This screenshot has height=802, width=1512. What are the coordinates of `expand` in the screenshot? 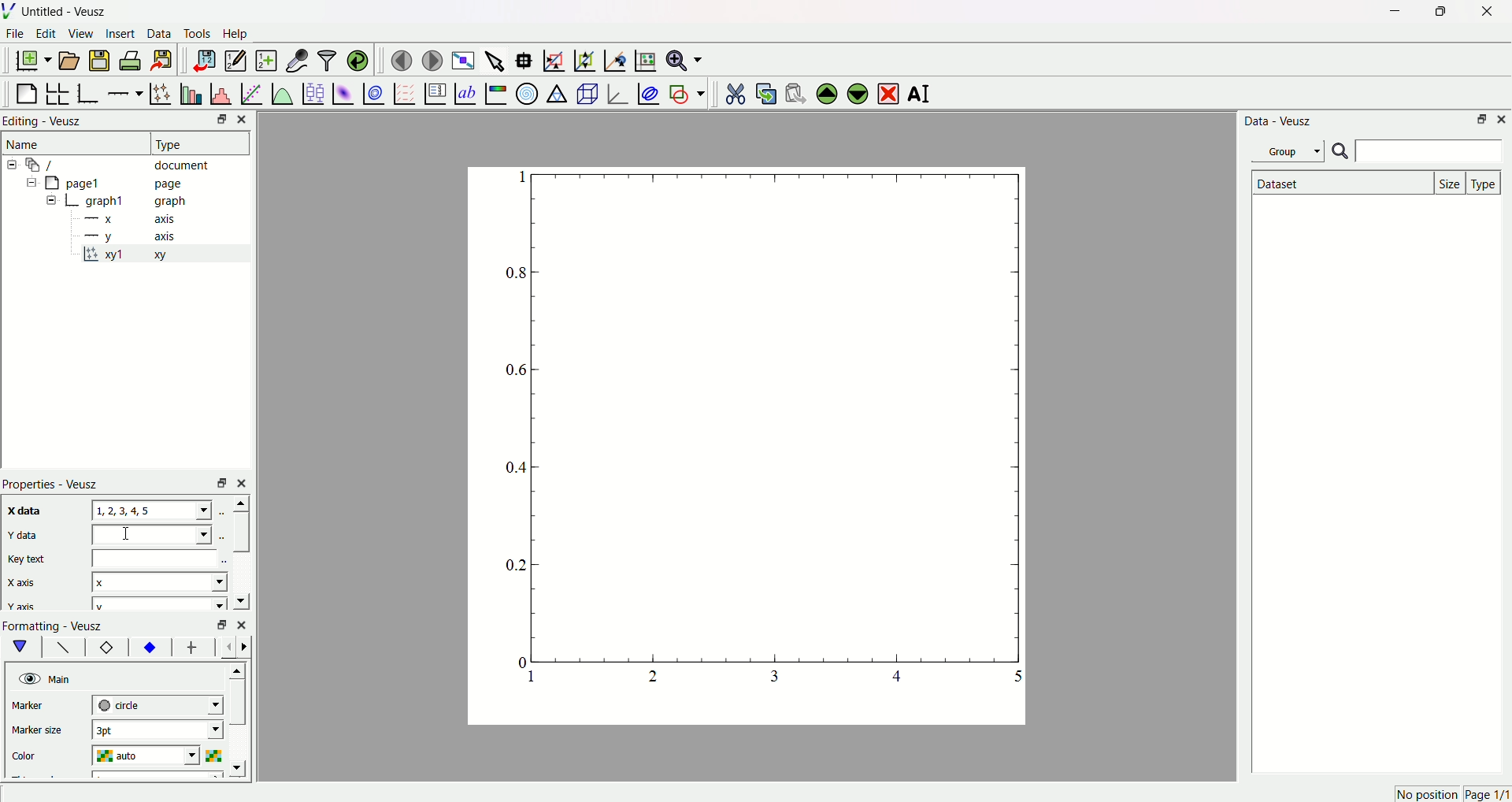 It's located at (52, 201).